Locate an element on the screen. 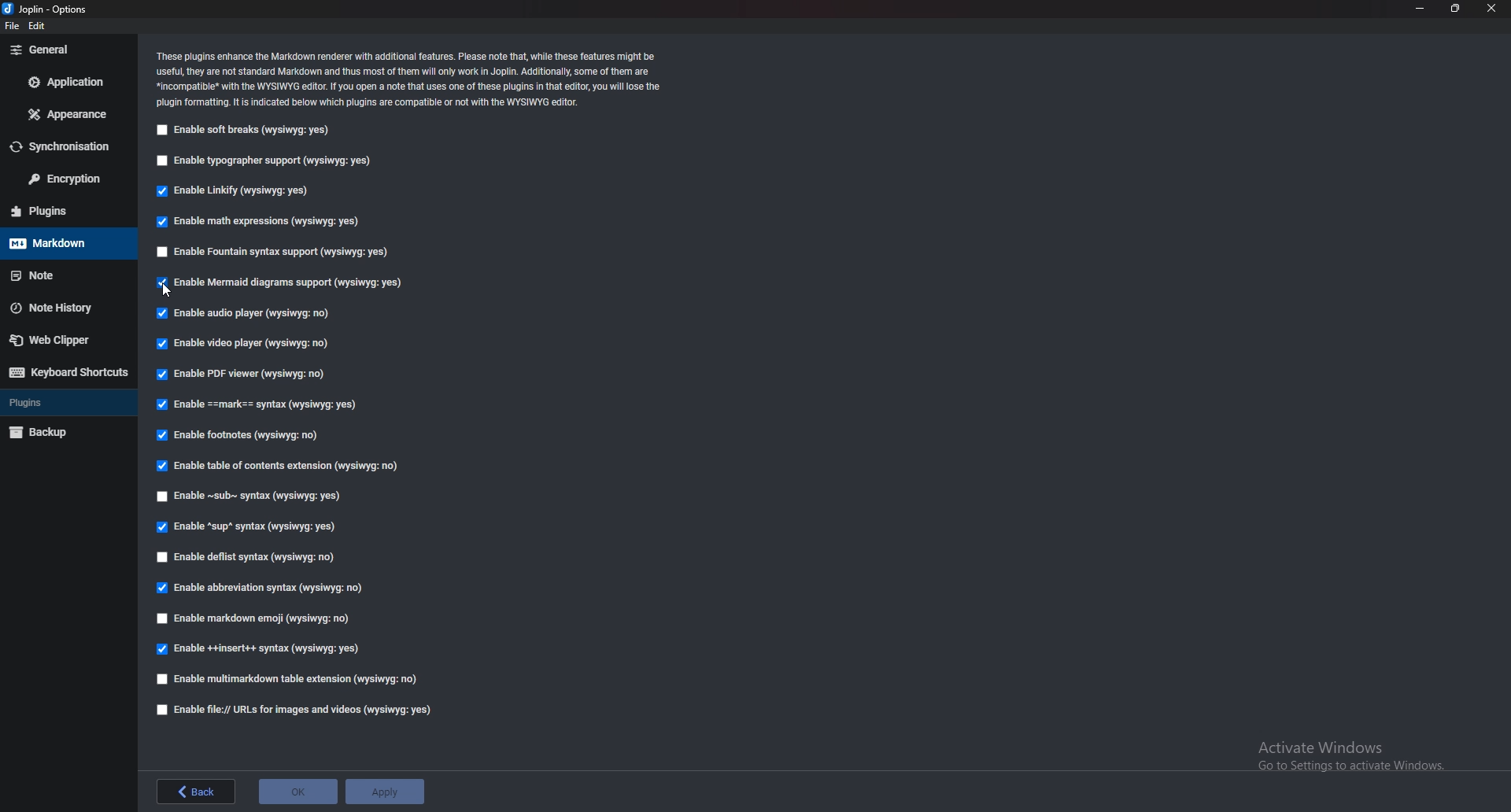 The image size is (1511, 812). General is located at coordinates (68, 50).